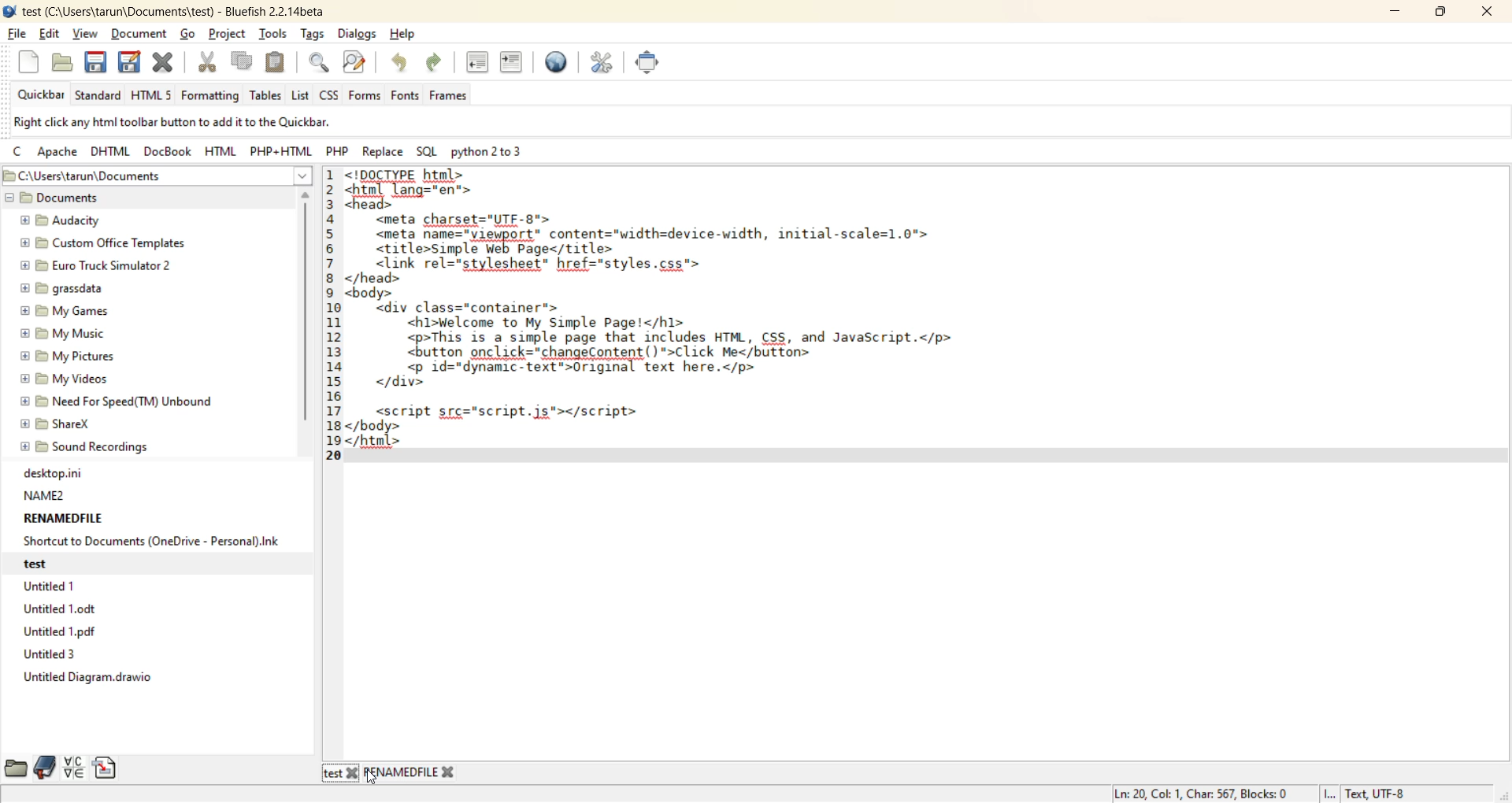 The width and height of the screenshot is (1512, 803). What do you see at coordinates (69, 331) in the screenshot?
I see `My Music` at bounding box center [69, 331].